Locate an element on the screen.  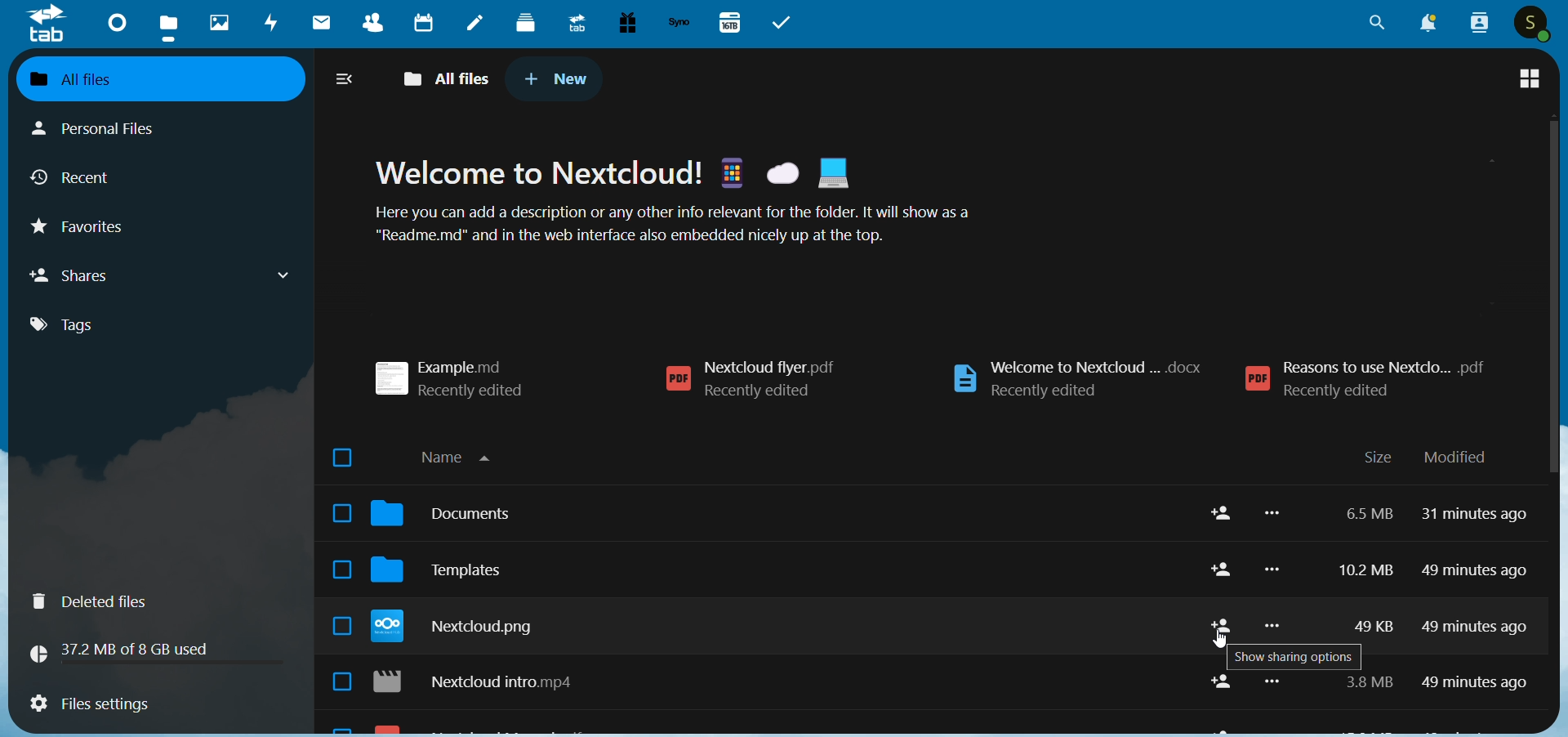
storage is located at coordinates (1354, 600).